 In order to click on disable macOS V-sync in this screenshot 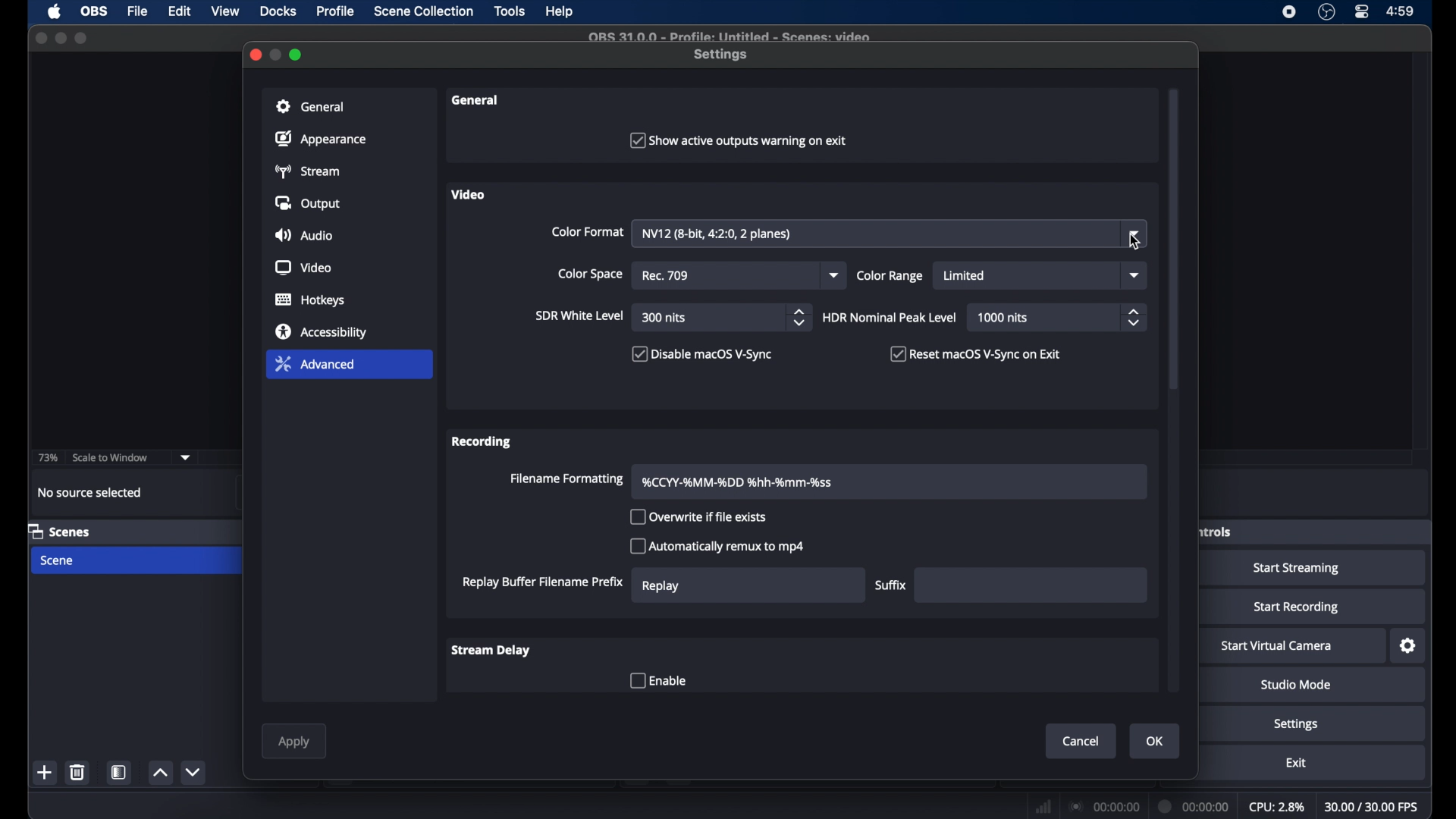, I will do `click(700, 354)`.